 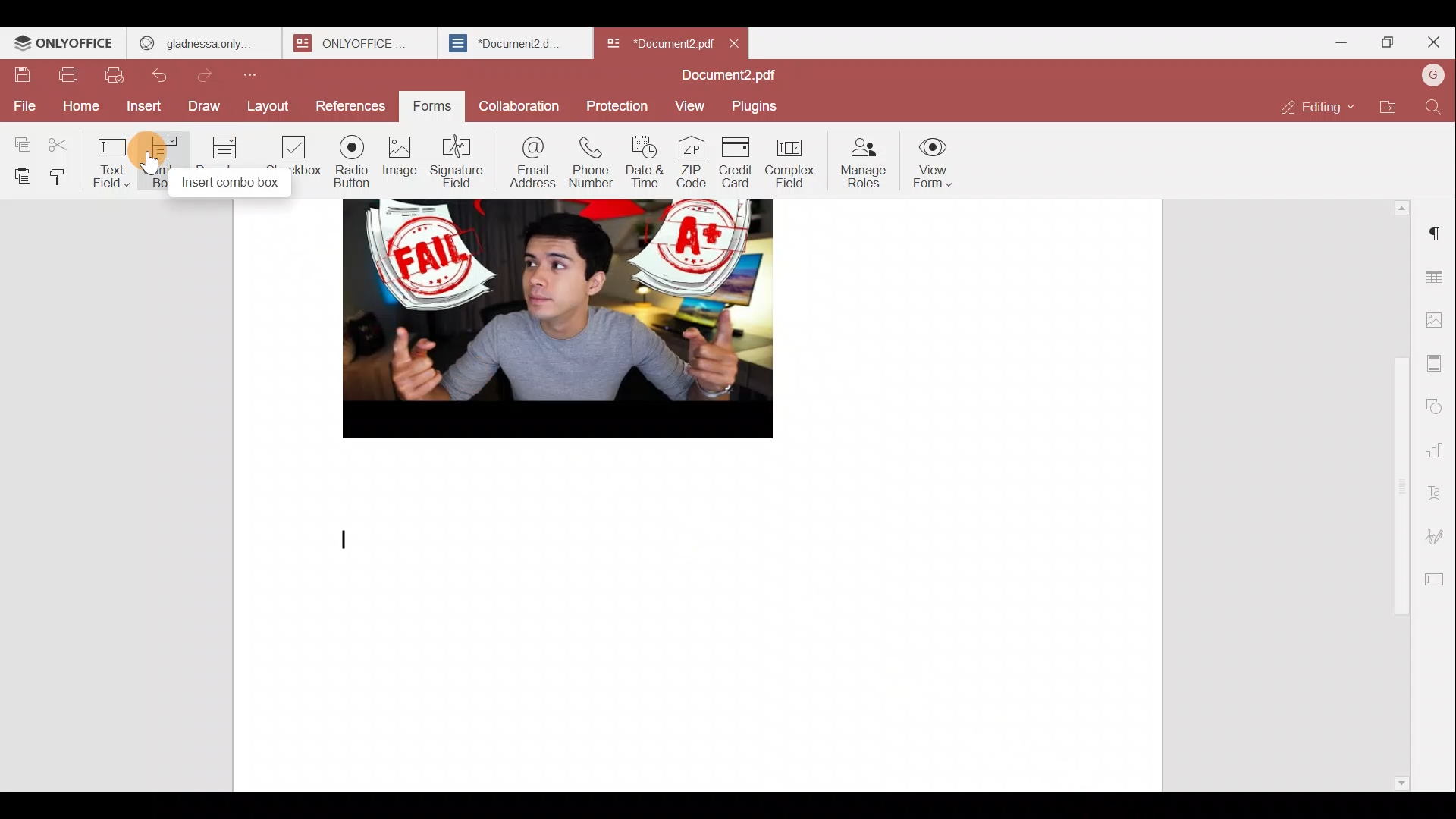 I want to click on Plugins, so click(x=757, y=106).